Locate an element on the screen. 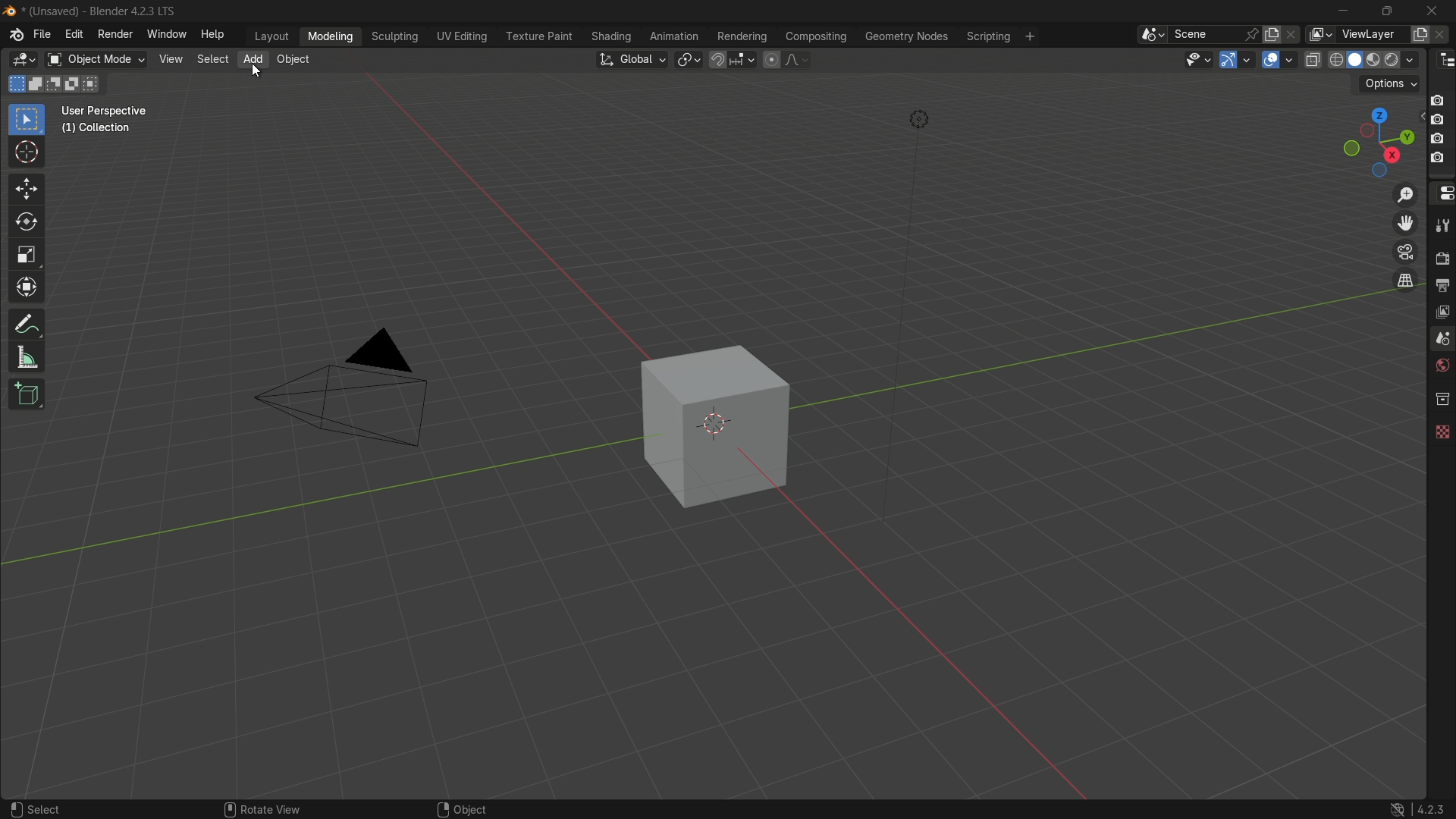 The image size is (1456, 819). solid display is located at coordinates (1355, 59).